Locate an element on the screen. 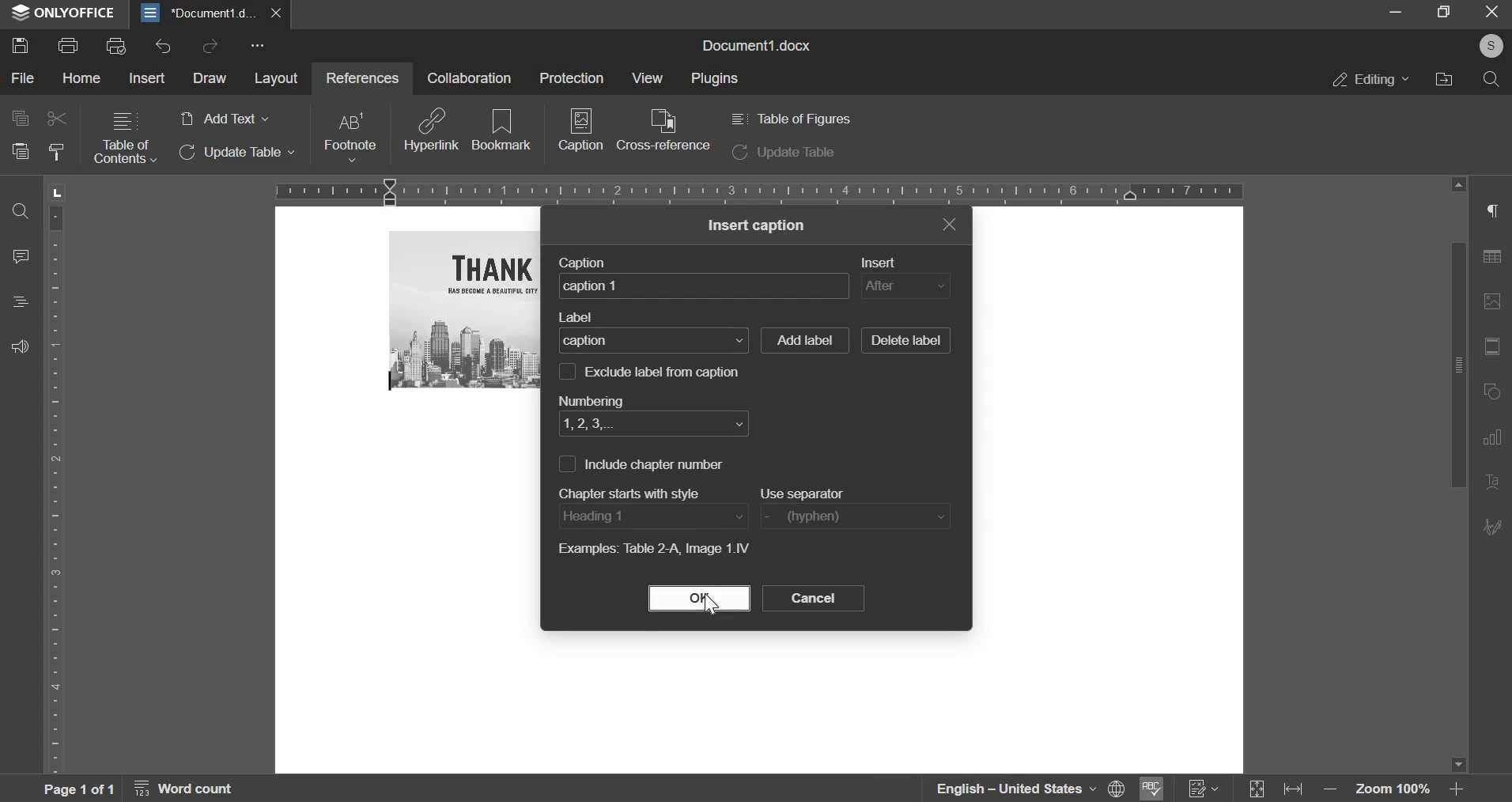 The width and height of the screenshot is (1512, 802). add text is located at coordinates (223, 119).